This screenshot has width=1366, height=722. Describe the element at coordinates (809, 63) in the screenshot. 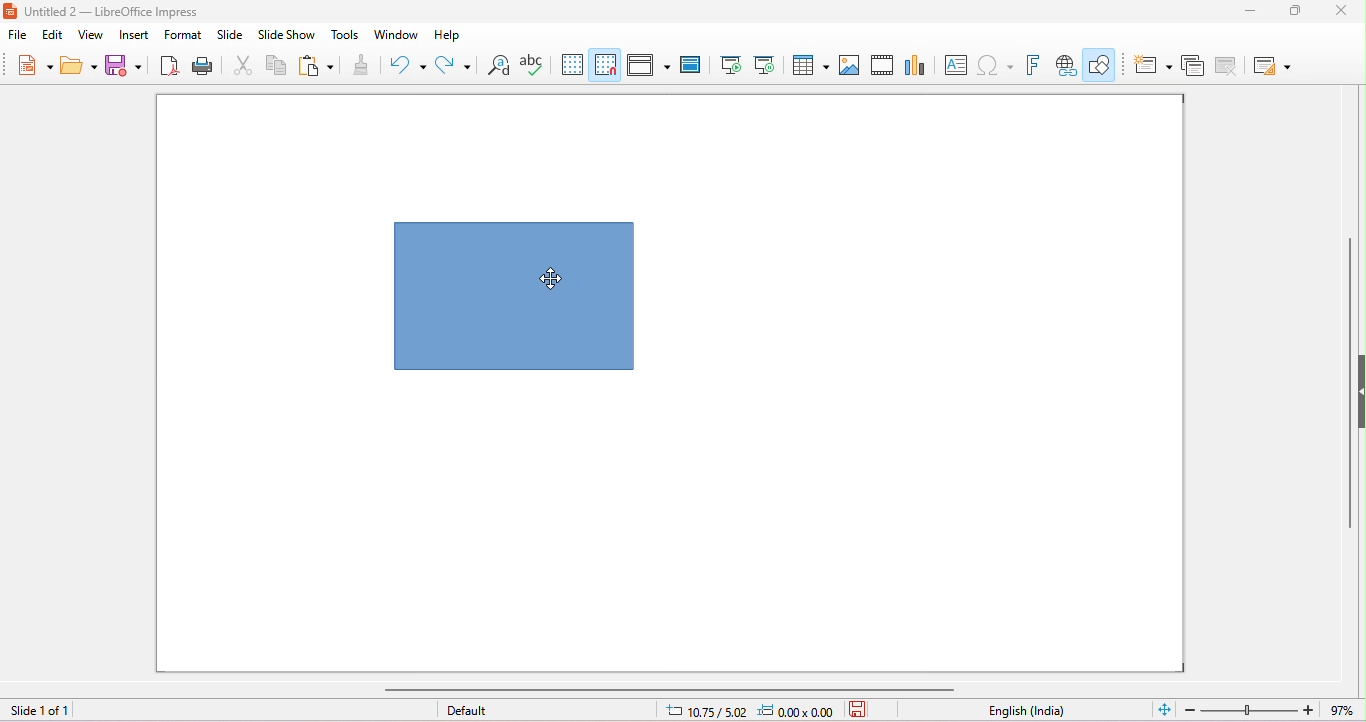

I see `insert table` at that location.